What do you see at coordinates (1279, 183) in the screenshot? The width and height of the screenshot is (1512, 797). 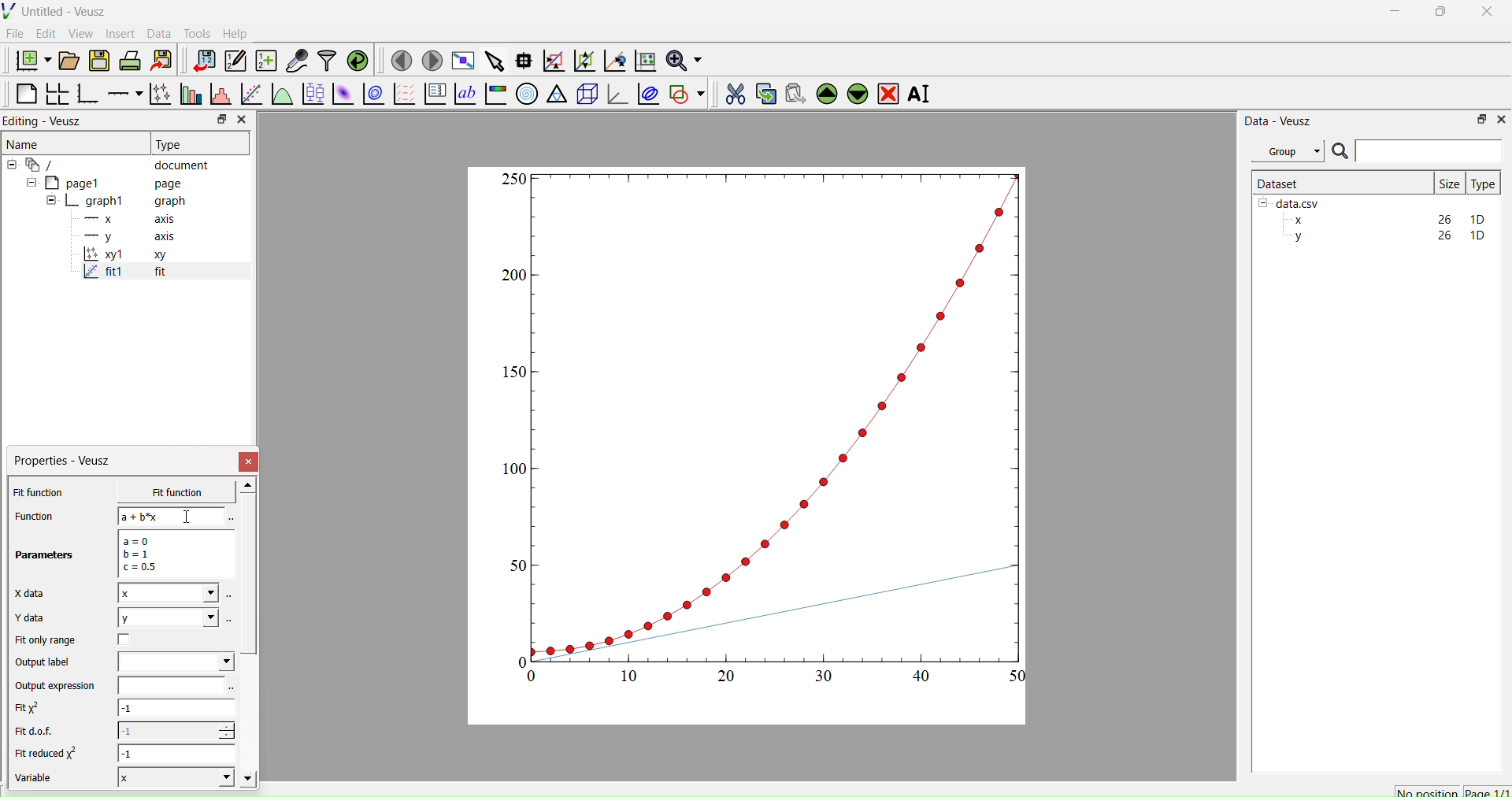 I see `Dataset` at bounding box center [1279, 183].